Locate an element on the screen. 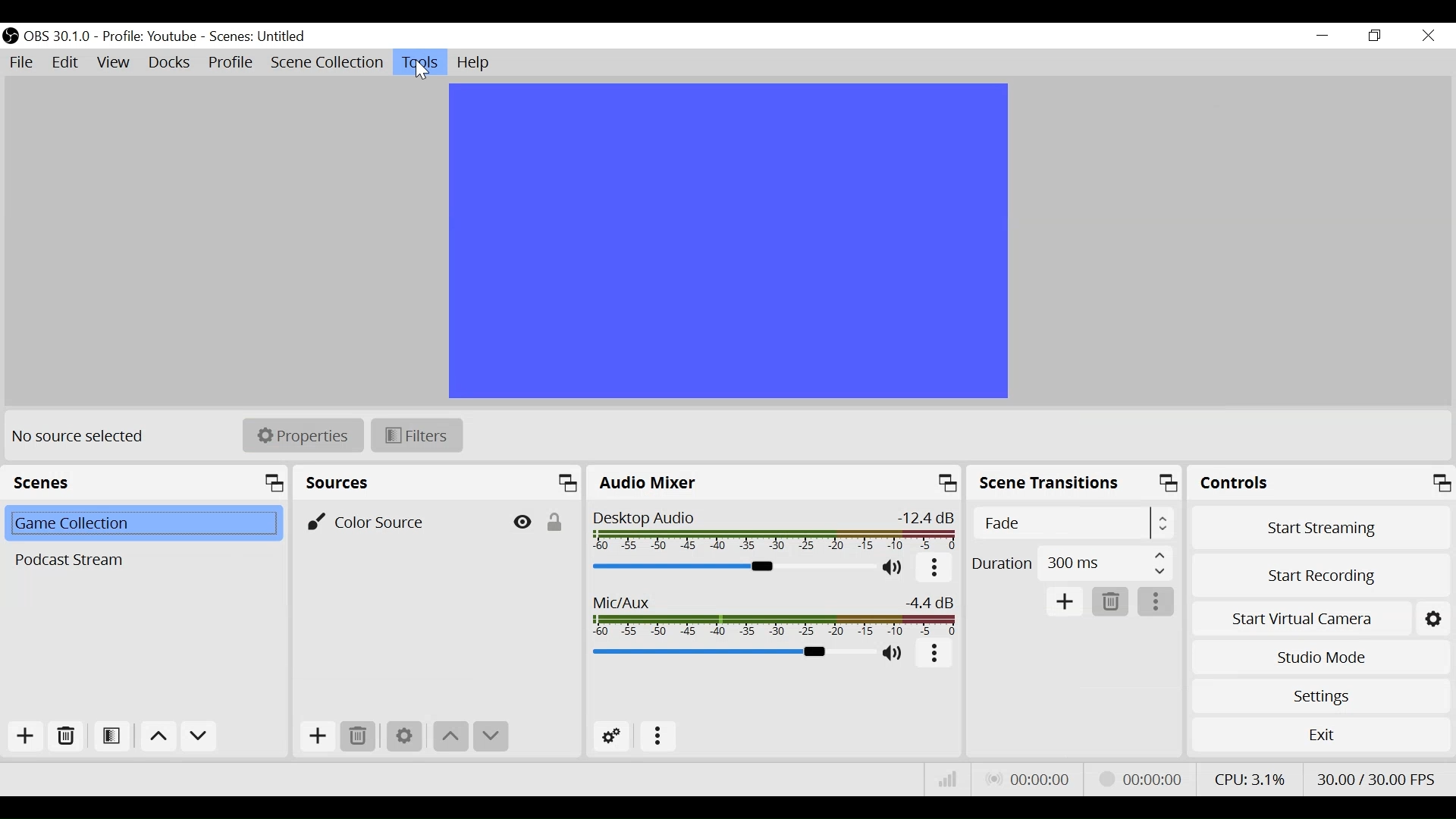  settings is located at coordinates (1436, 617).